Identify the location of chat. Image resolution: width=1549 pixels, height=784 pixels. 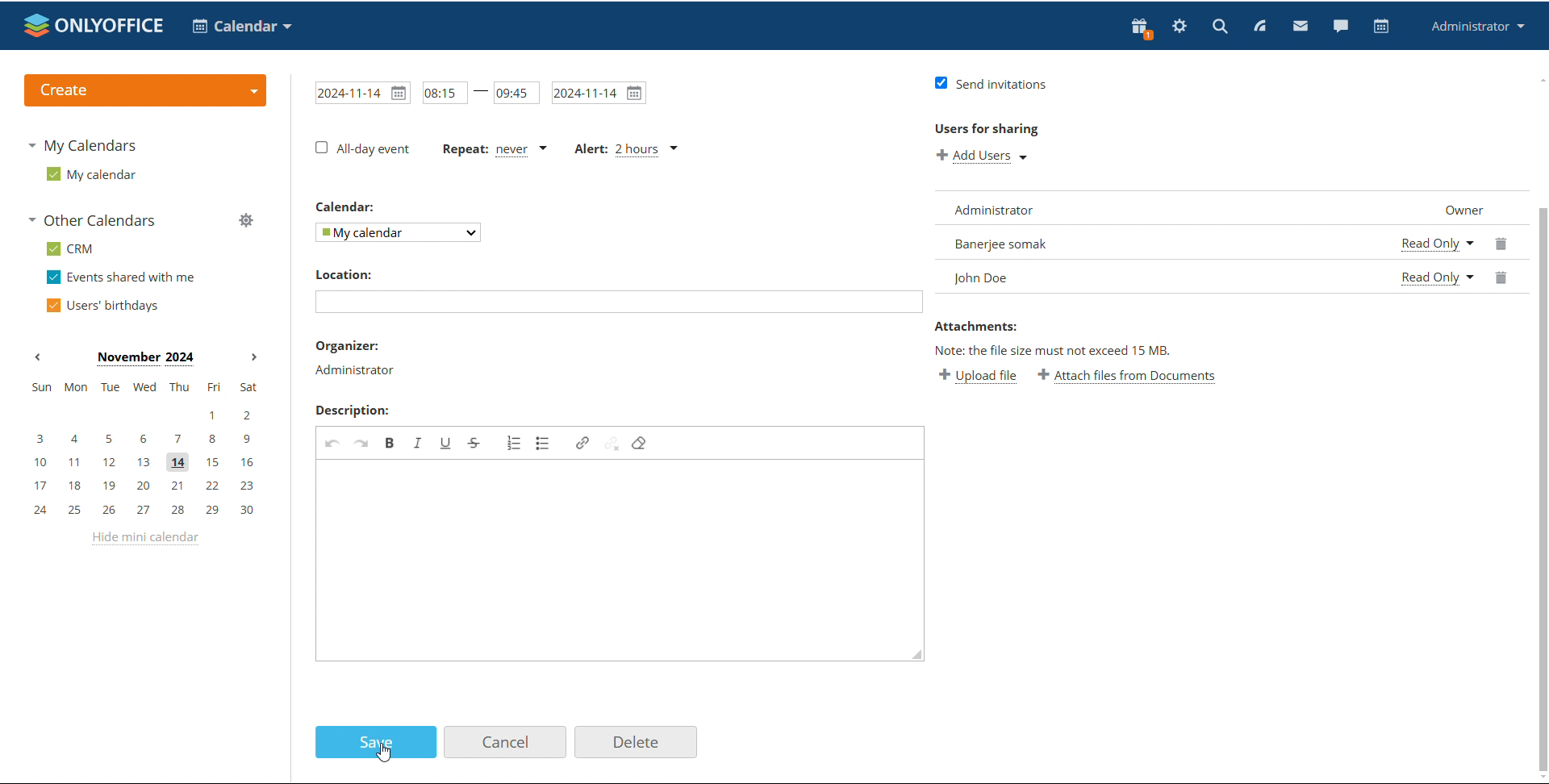
(1340, 25).